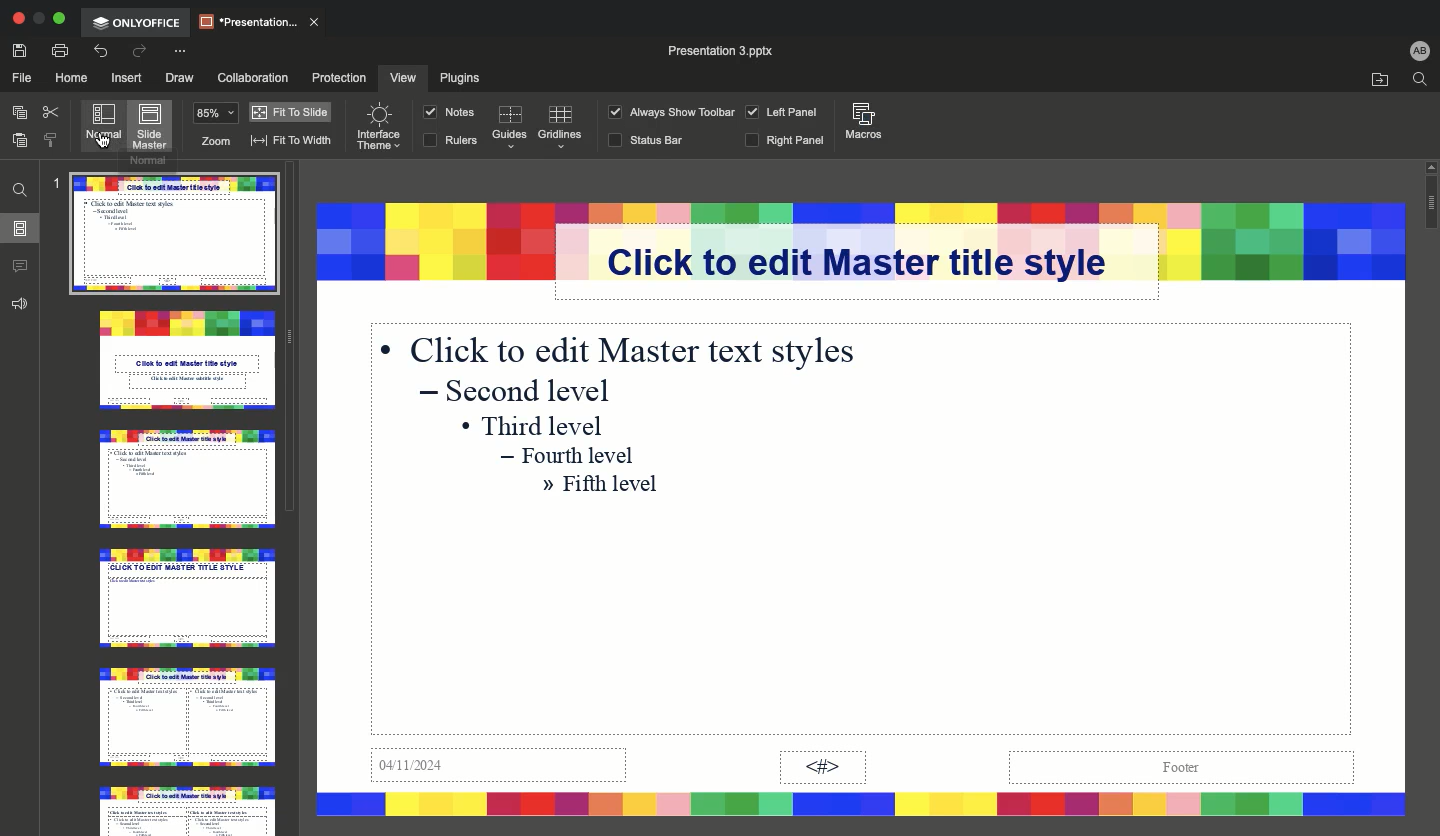 This screenshot has width=1440, height=836. What do you see at coordinates (23, 267) in the screenshot?
I see `Comments` at bounding box center [23, 267].